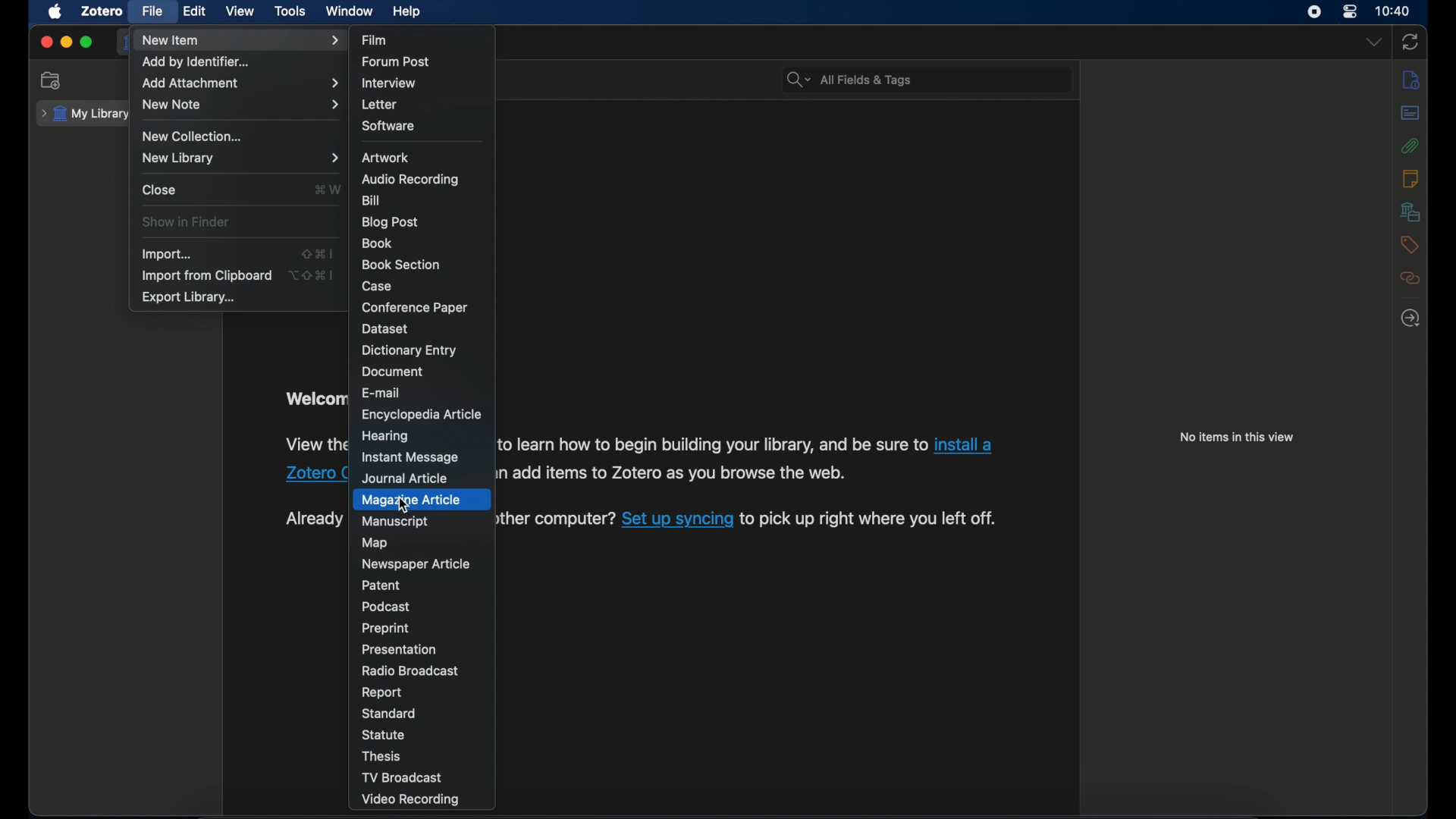 The height and width of the screenshot is (819, 1456). Describe the element at coordinates (424, 415) in the screenshot. I see `encyclopedia article` at that location.